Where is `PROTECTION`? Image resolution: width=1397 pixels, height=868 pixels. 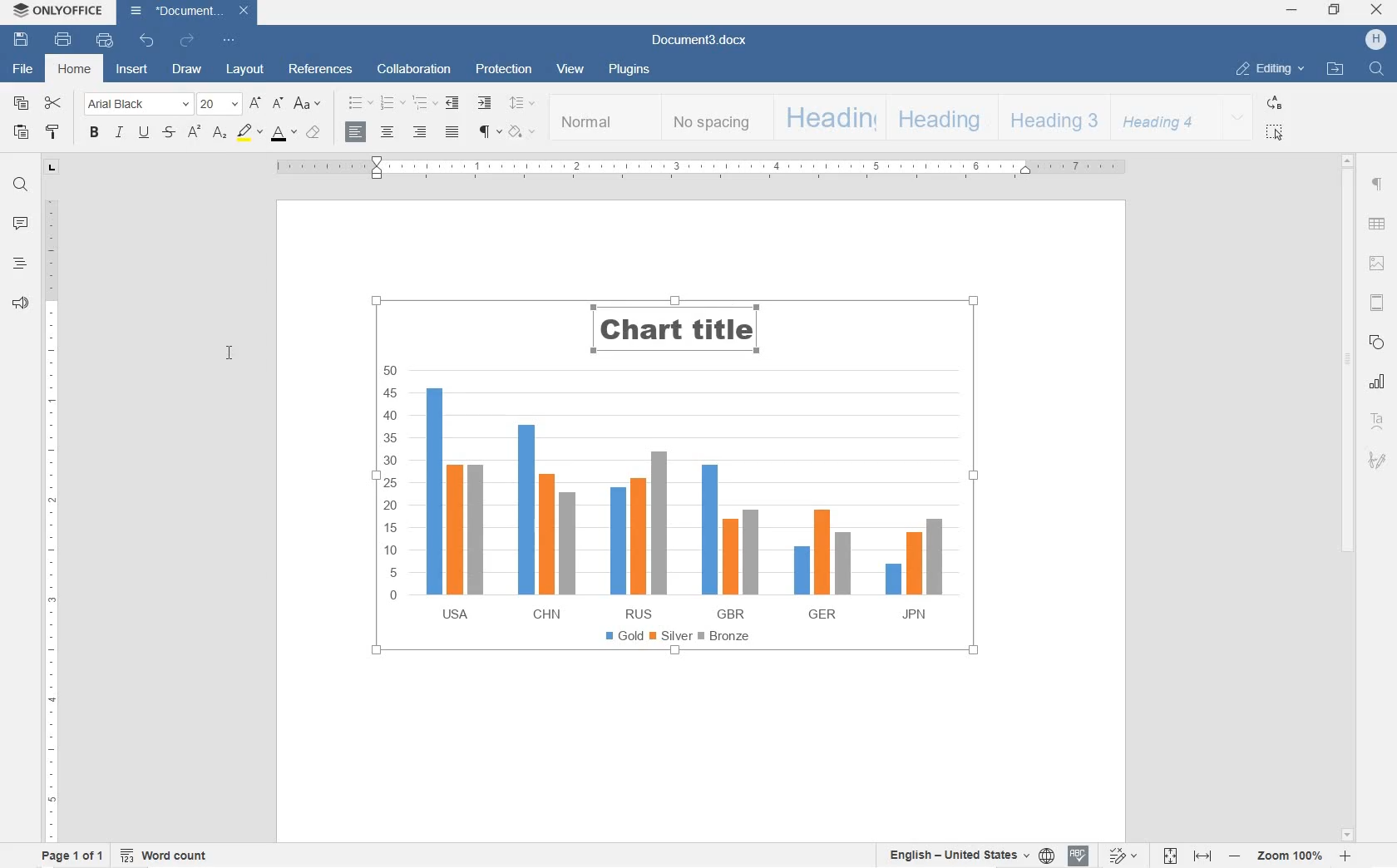
PROTECTION is located at coordinates (501, 69).